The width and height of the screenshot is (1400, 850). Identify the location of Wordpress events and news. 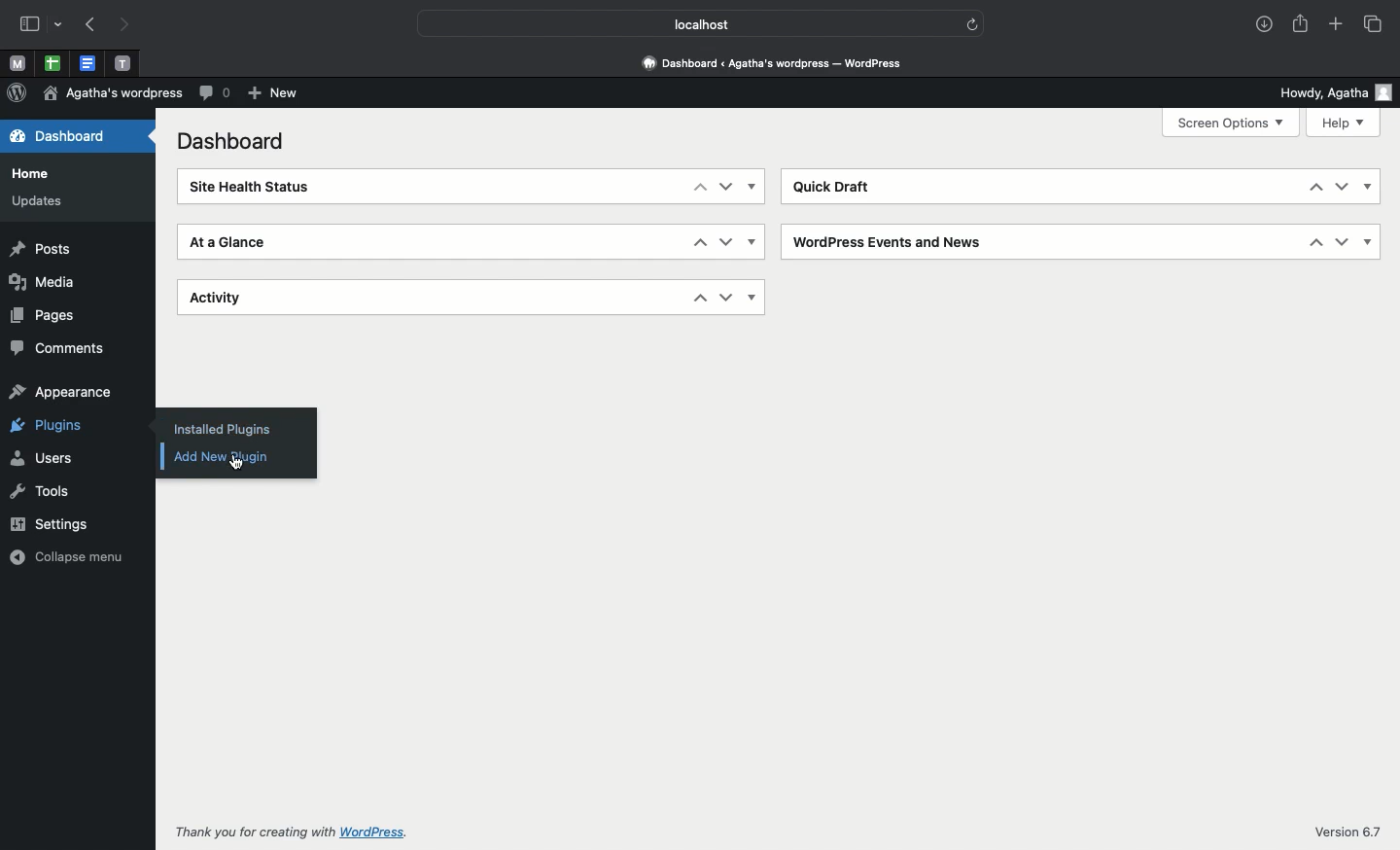
(893, 246).